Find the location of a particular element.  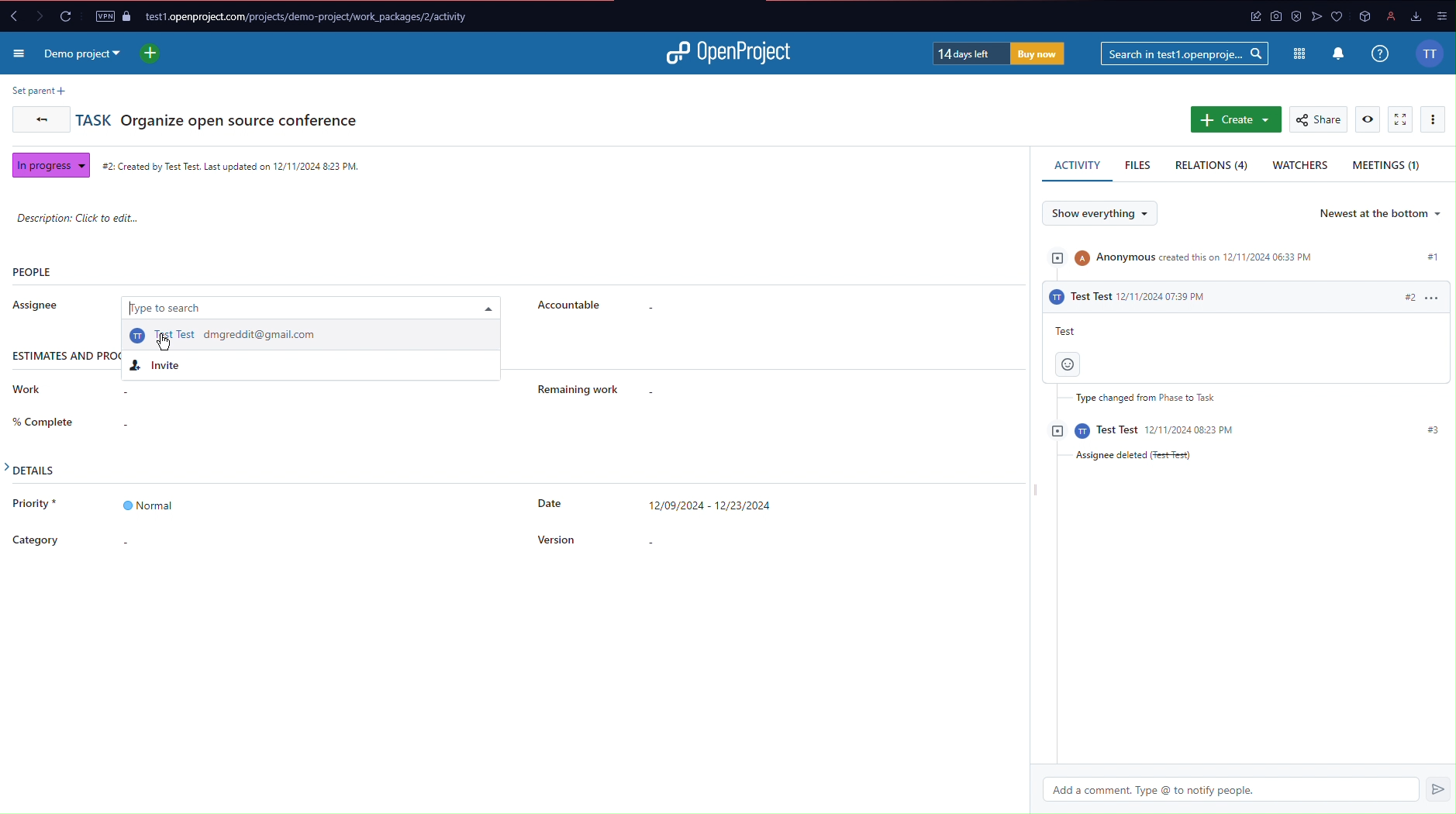

Show everything is located at coordinates (1099, 213).